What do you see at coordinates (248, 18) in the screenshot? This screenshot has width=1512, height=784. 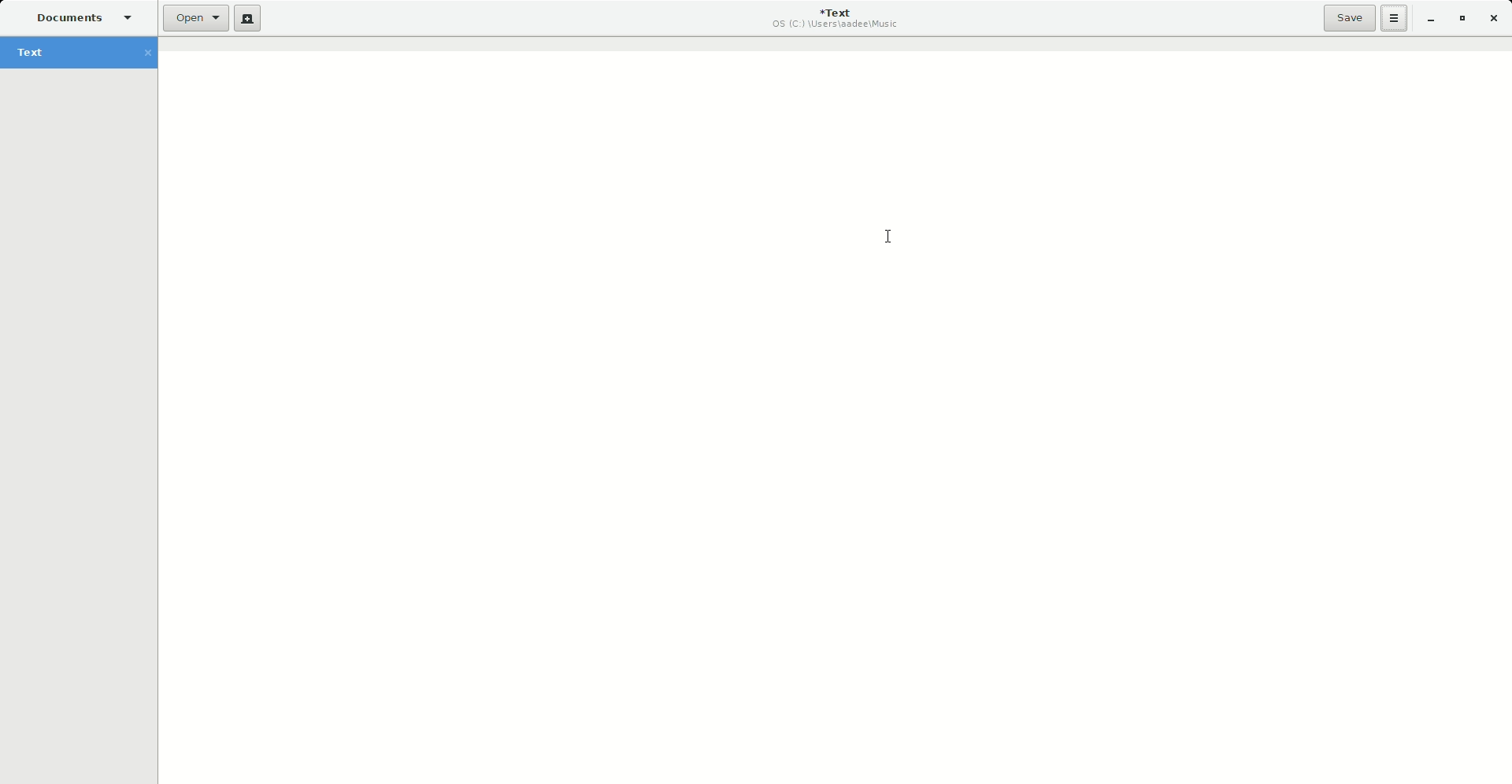 I see `New` at bounding box center [248, 18].